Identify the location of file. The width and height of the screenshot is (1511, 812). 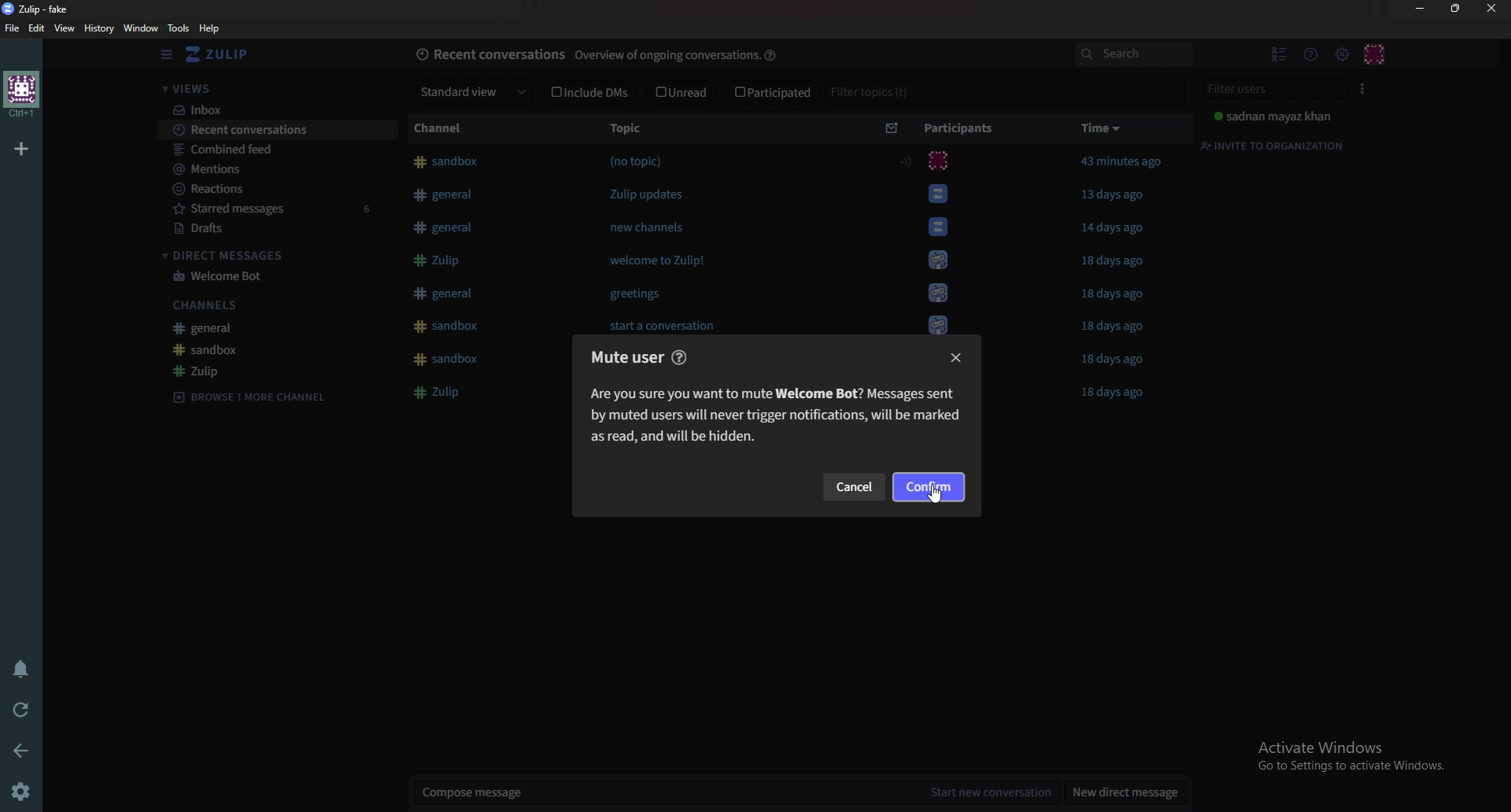
(13, 28).